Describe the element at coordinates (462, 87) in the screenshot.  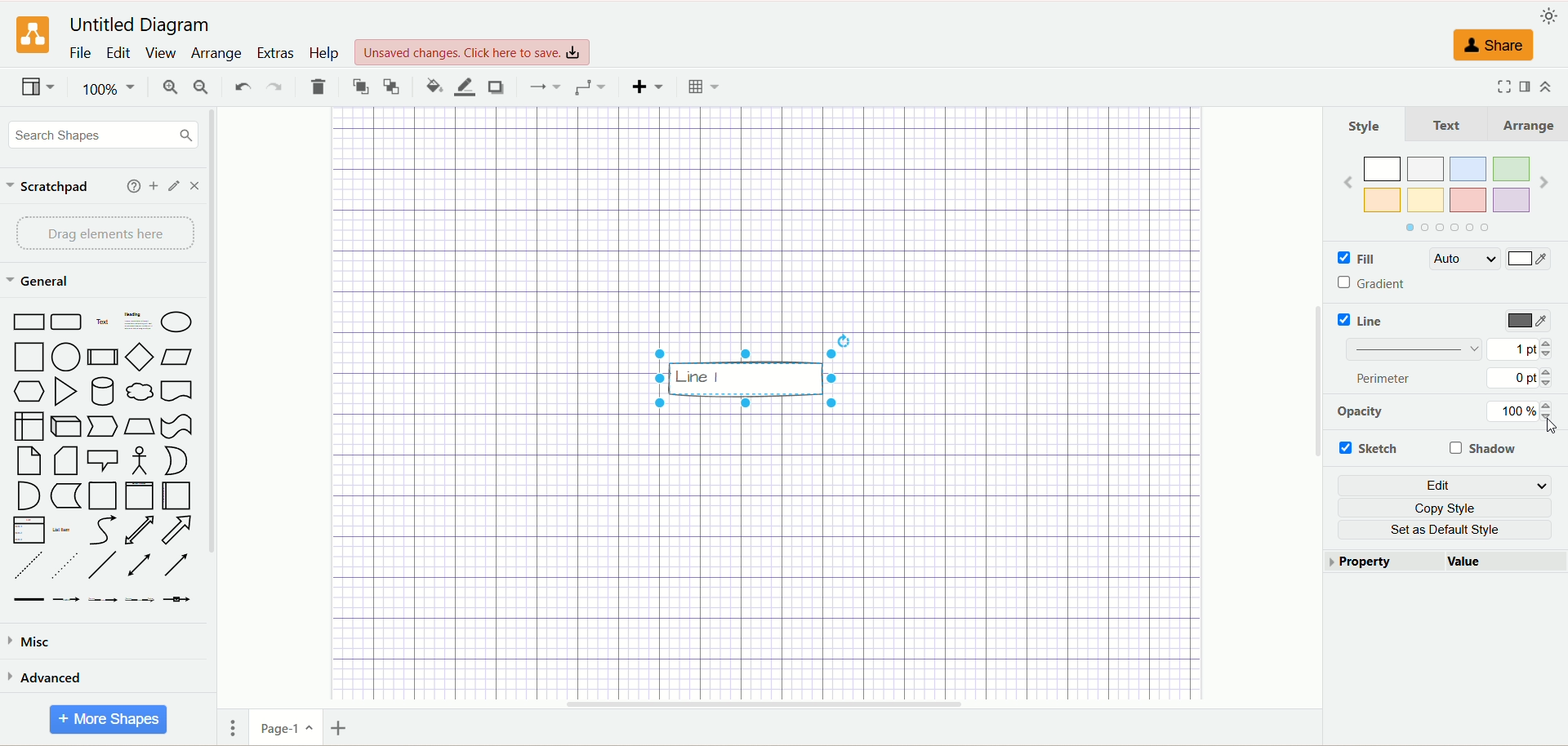
I see `line color` at that location.